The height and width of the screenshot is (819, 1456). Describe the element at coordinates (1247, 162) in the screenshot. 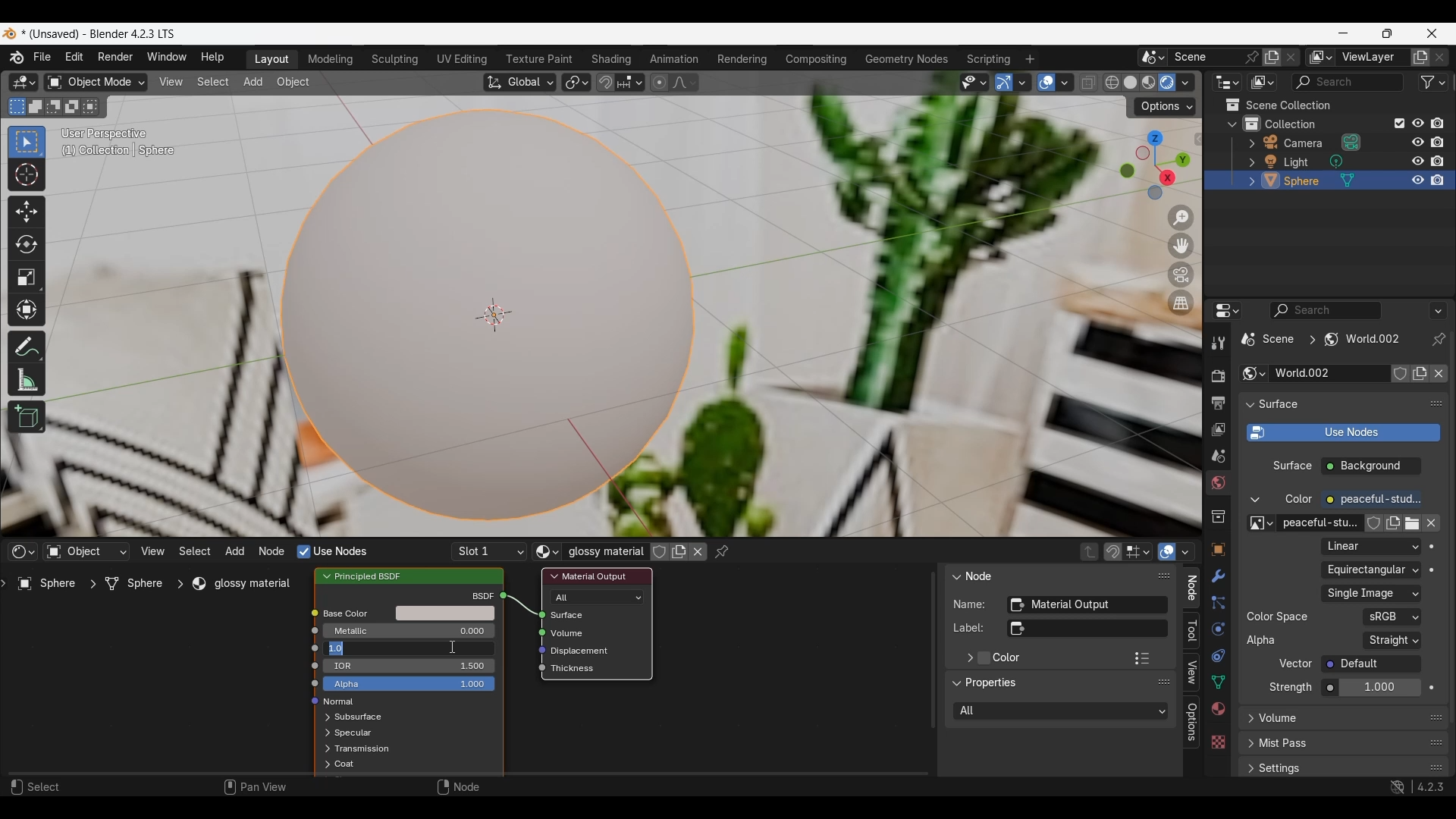

I see `expand respective scenes` at that location.